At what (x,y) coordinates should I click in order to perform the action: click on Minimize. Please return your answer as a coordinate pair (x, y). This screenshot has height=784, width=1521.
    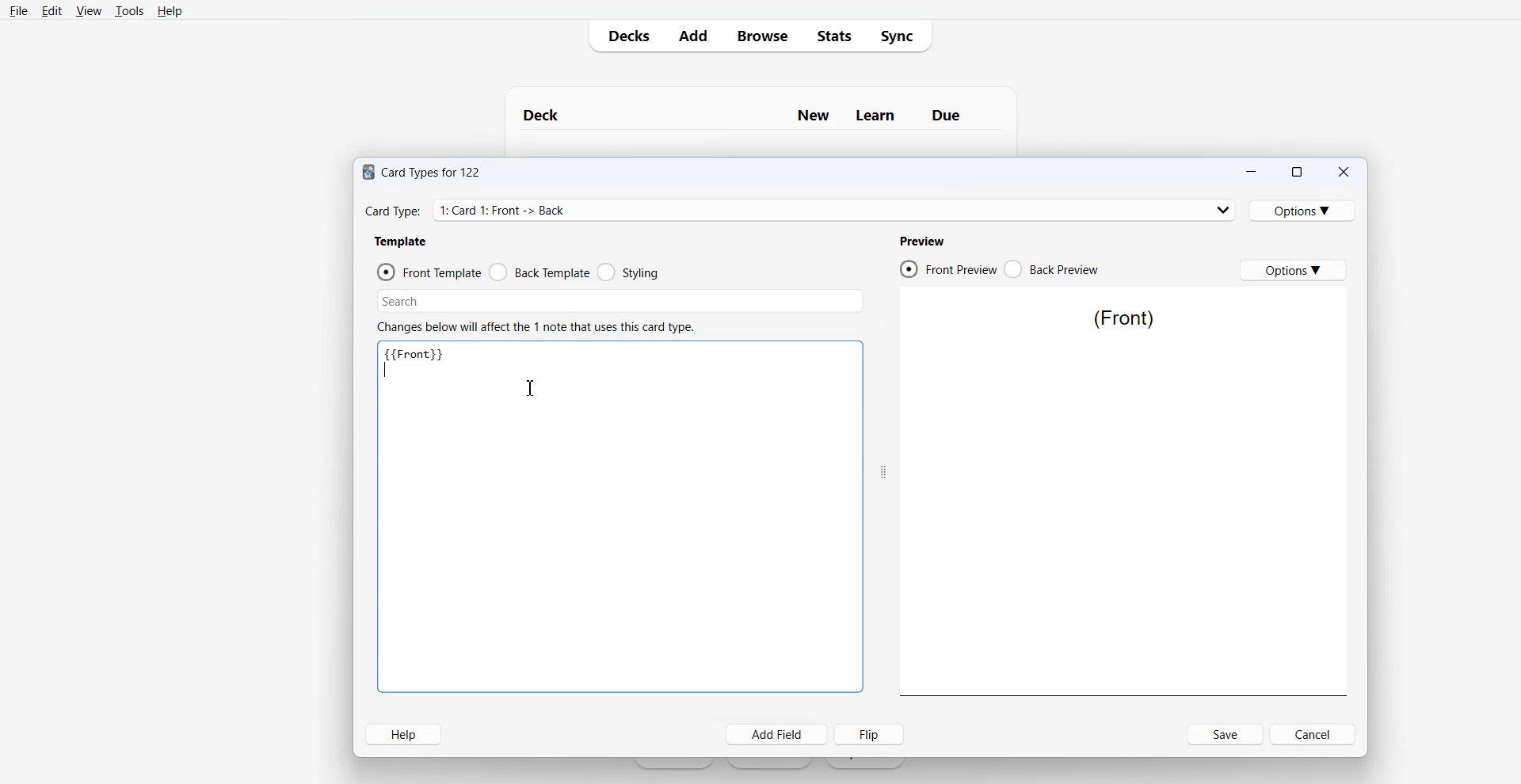
    Looking at the image, I should click on (1251, 171).